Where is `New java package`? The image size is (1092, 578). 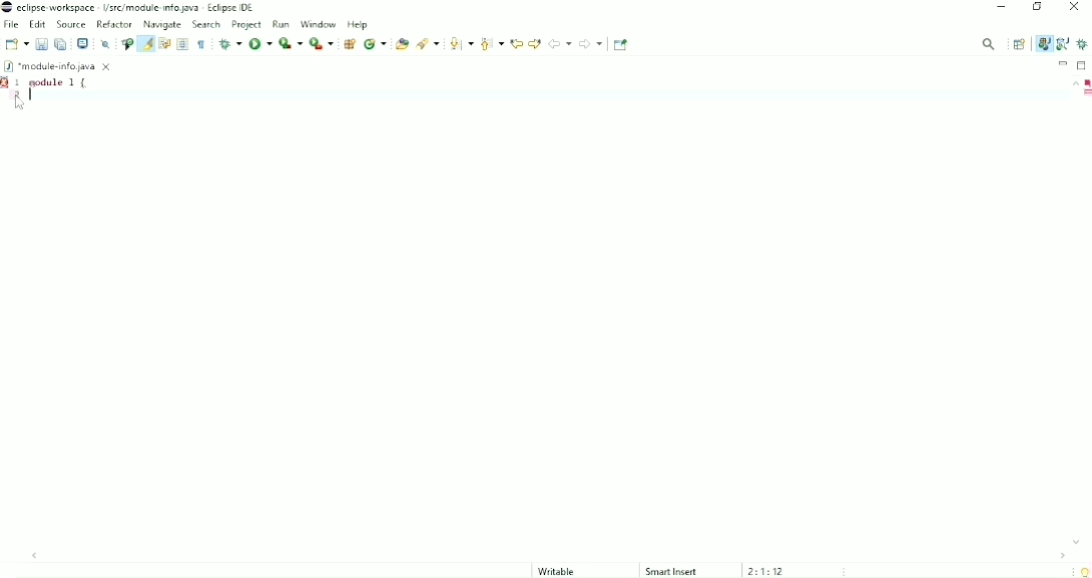
New java package is located at coordinates (349, 44).